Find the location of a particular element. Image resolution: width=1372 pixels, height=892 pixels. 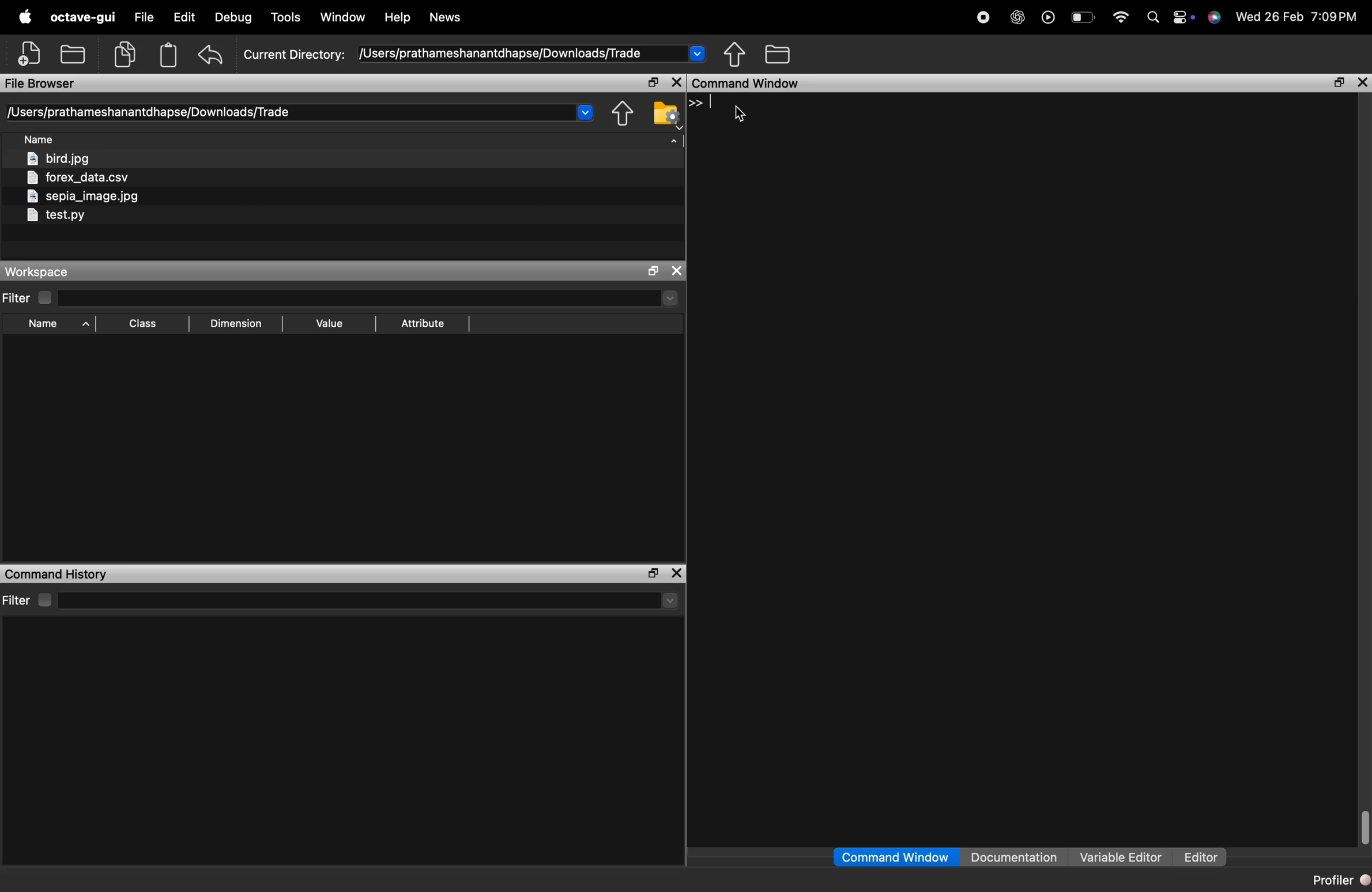

maximize is located at coordinates (1341, 83).